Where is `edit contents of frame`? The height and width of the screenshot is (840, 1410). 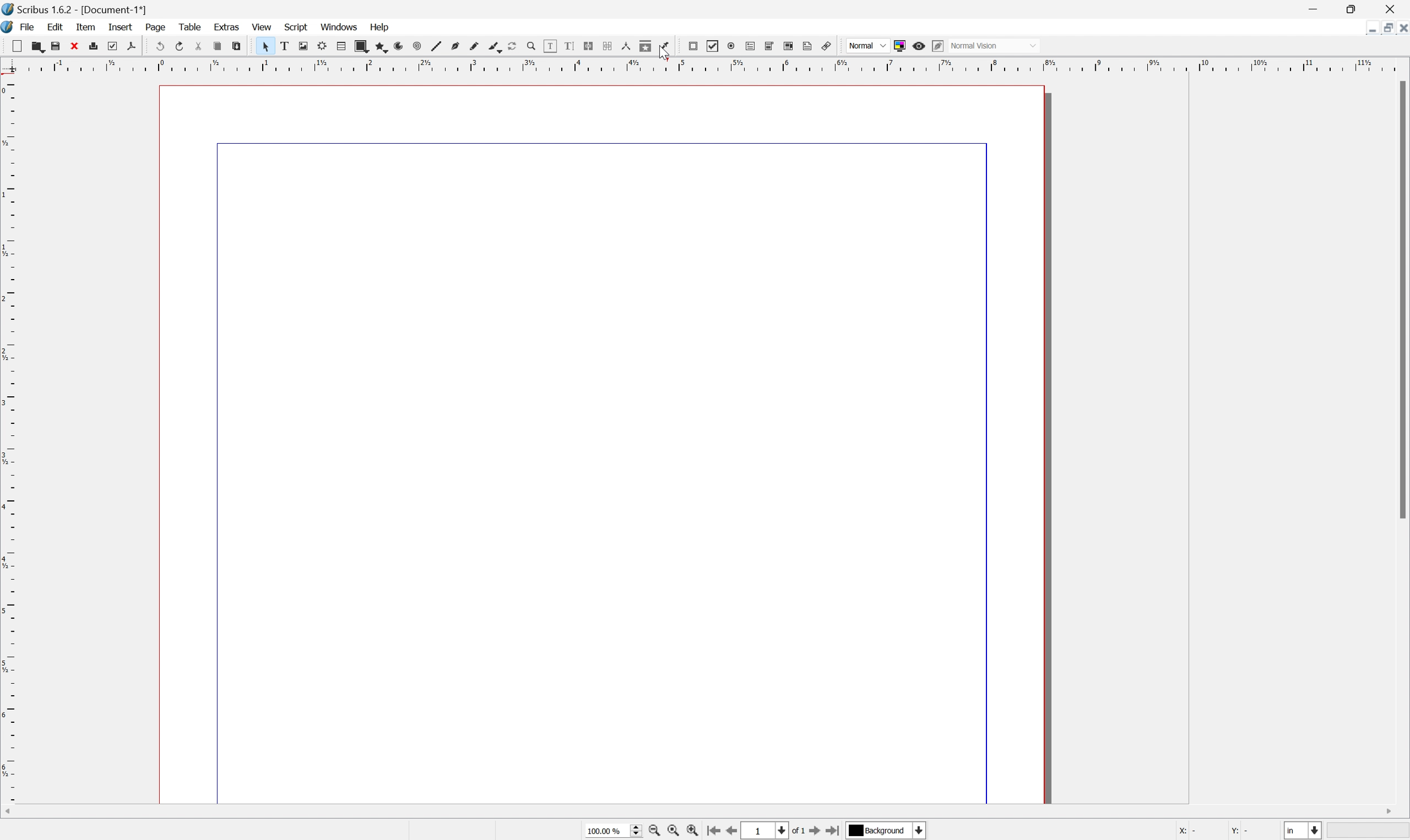
edit contents of frame is located at coordinates (549, 48).